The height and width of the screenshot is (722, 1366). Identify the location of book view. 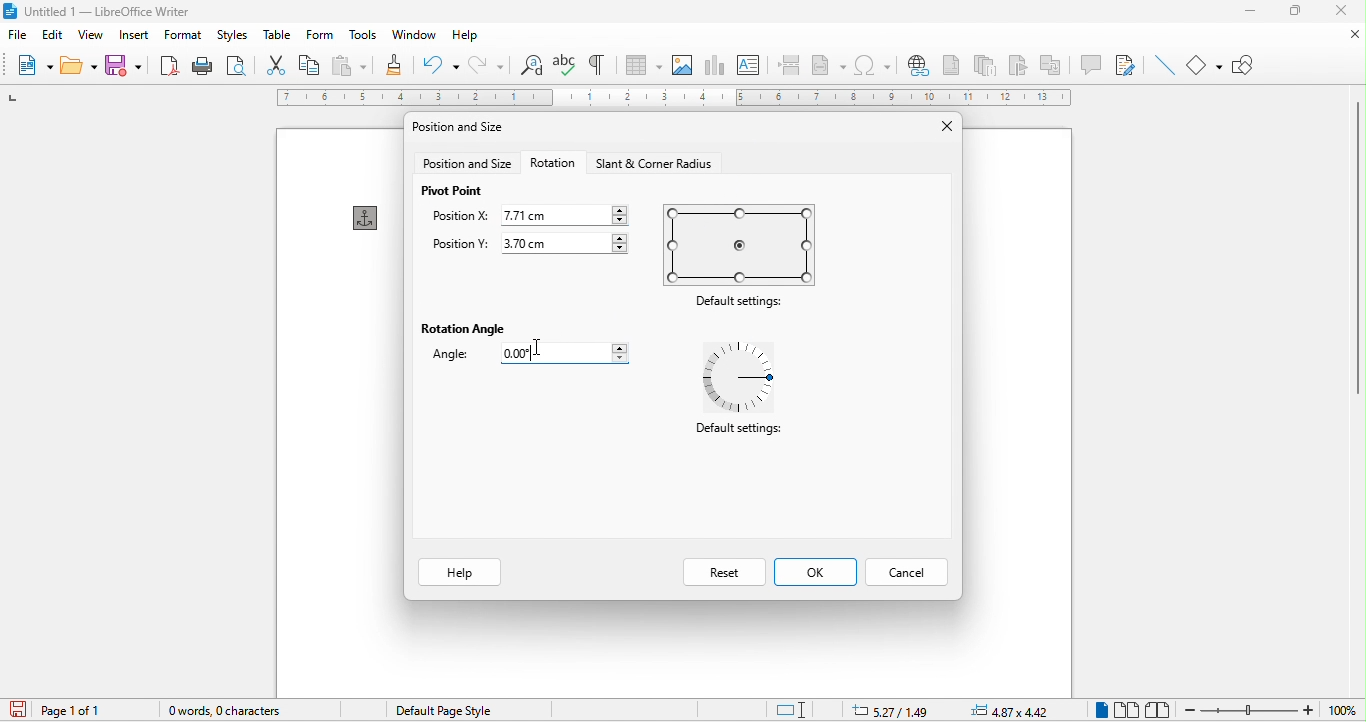
(1157, 710).